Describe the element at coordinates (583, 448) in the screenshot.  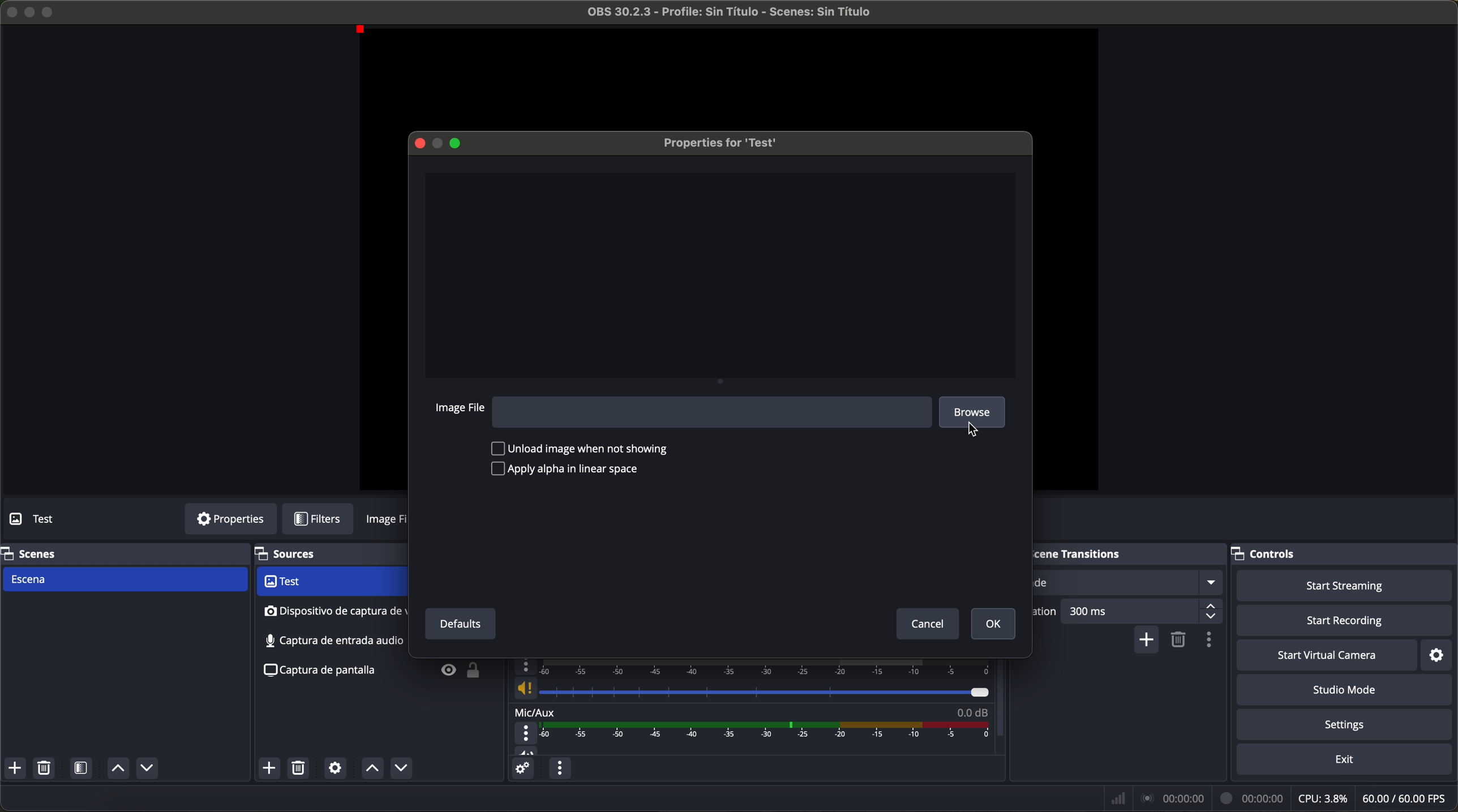
I see `unload image when not showing` at that location.